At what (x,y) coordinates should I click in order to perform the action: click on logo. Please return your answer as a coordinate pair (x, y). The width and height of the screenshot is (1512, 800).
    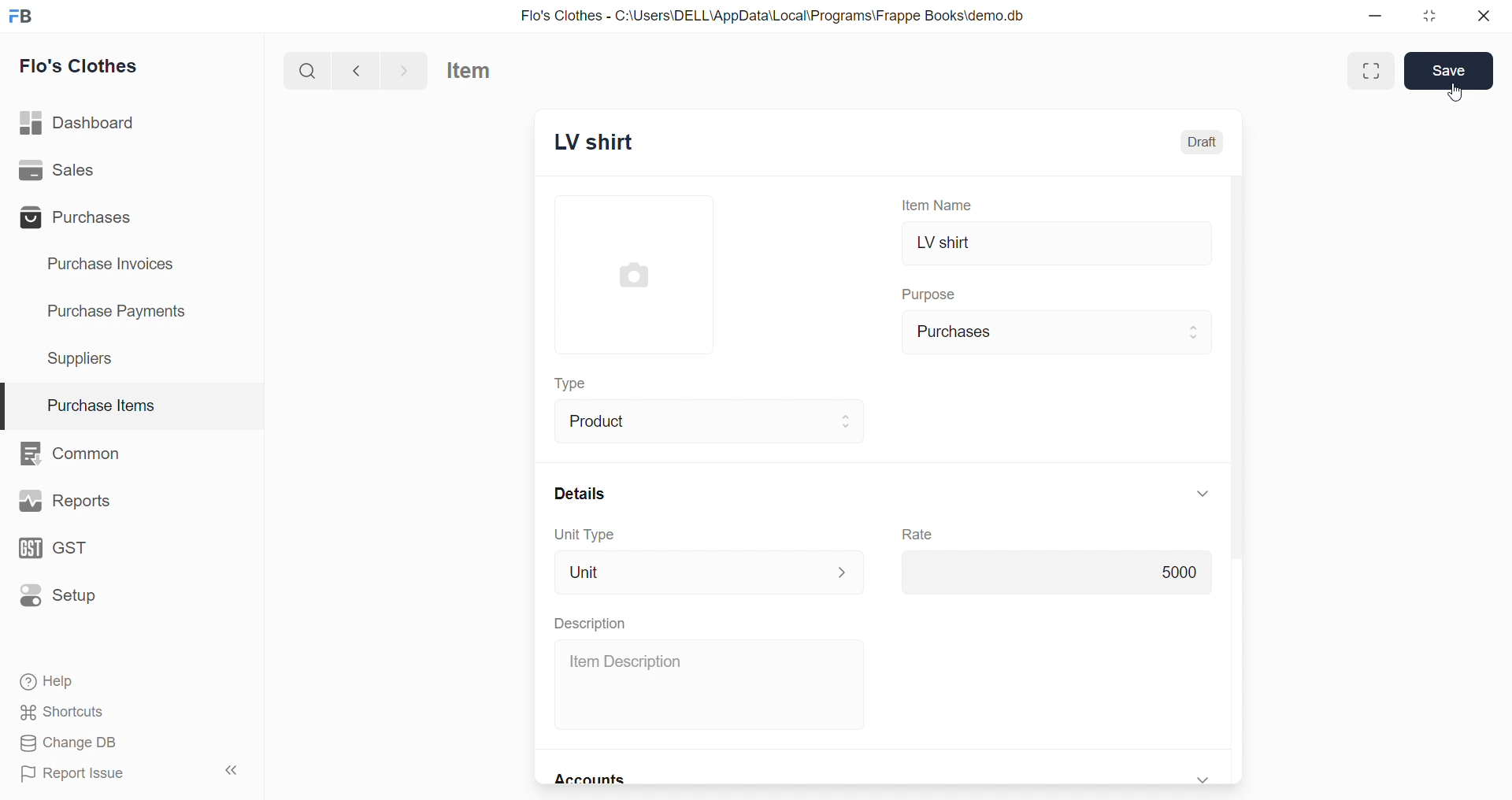
    Looking at the image, I should click on (20, 17).